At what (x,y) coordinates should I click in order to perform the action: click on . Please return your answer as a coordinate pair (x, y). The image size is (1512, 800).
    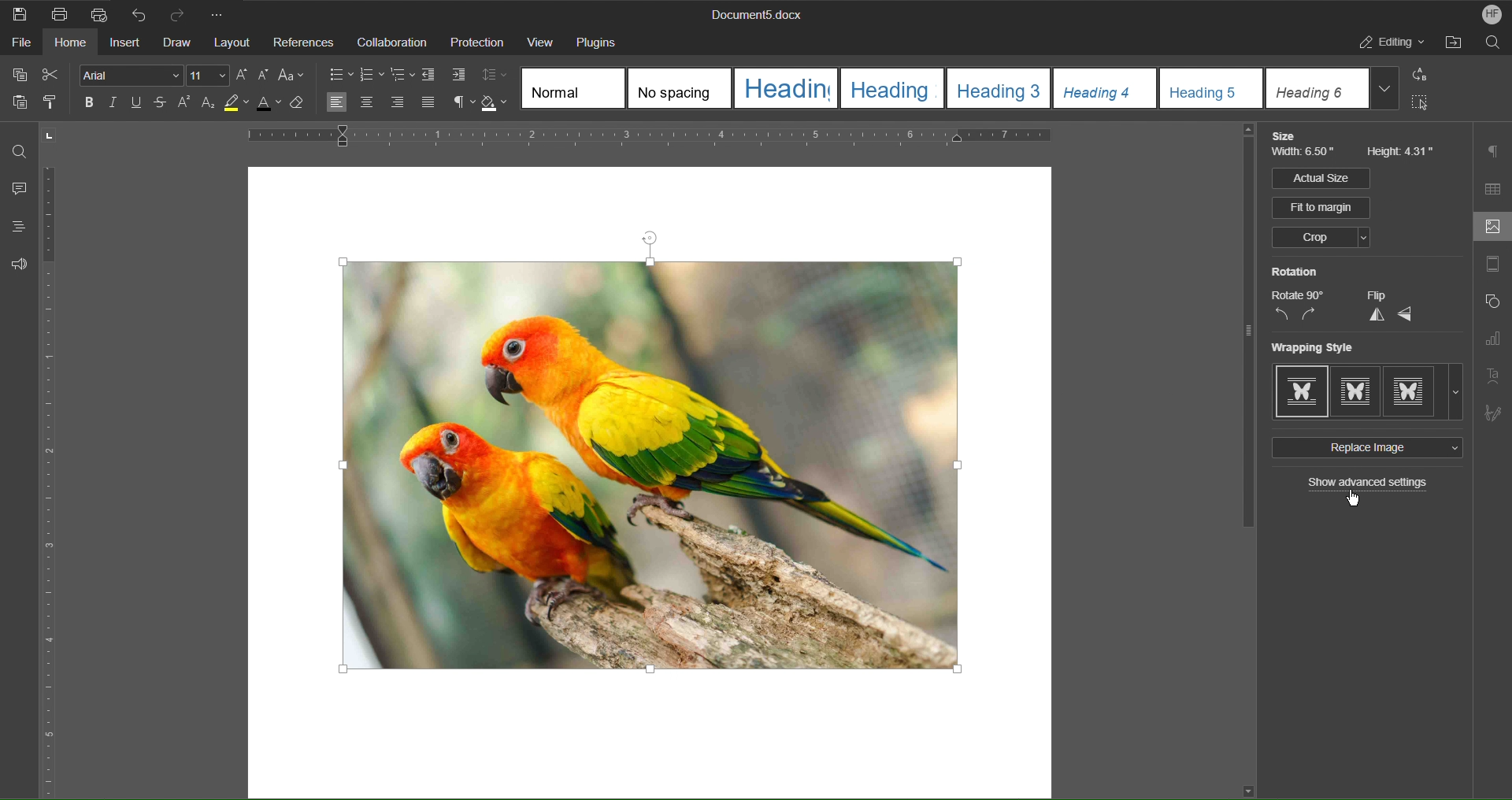
    Looking at the image, I should click on (1311, 347).